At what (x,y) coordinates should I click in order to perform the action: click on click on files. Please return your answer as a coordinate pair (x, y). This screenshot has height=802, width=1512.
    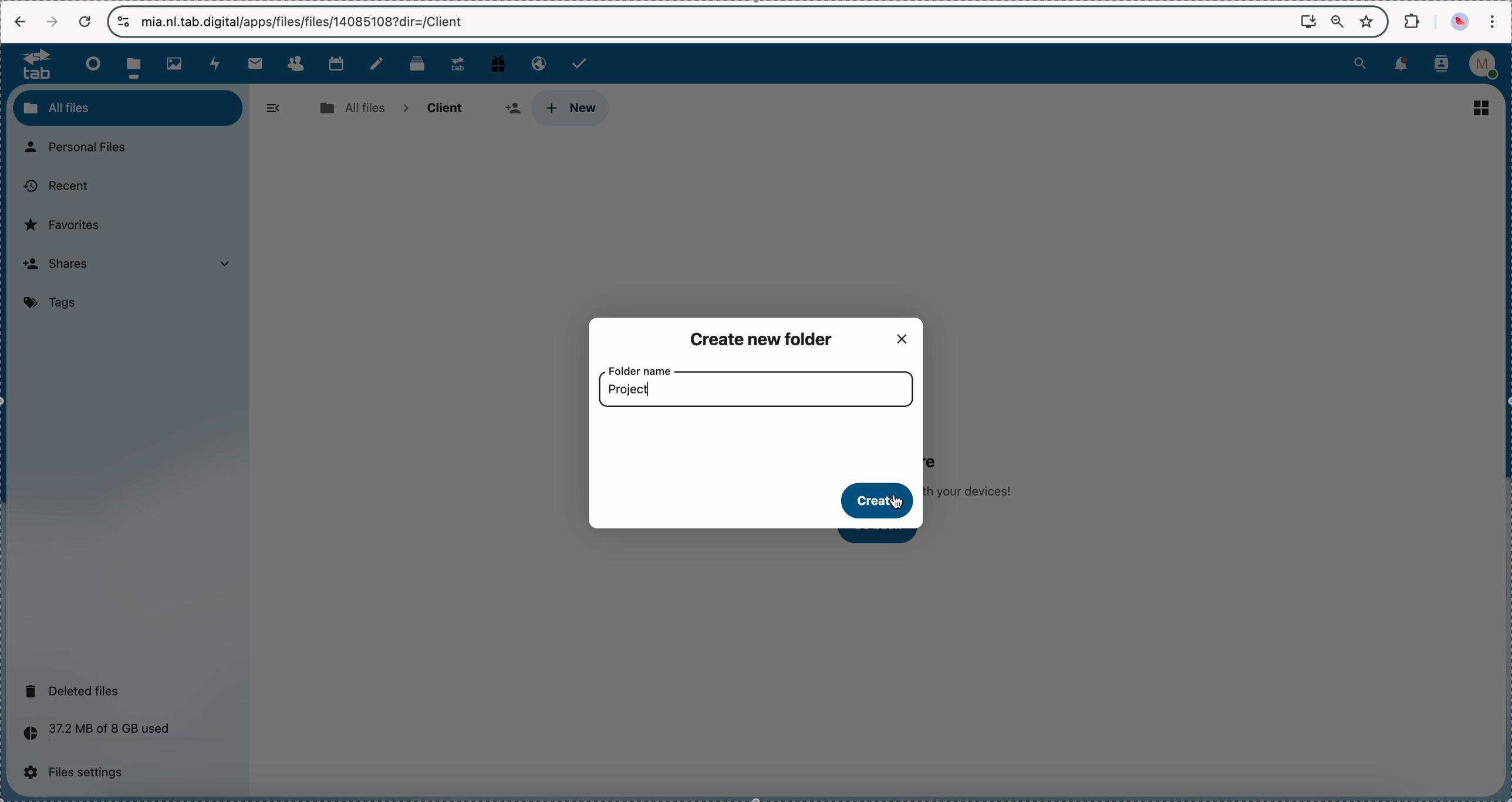
    Looking at the image, I should click on (137, 63).